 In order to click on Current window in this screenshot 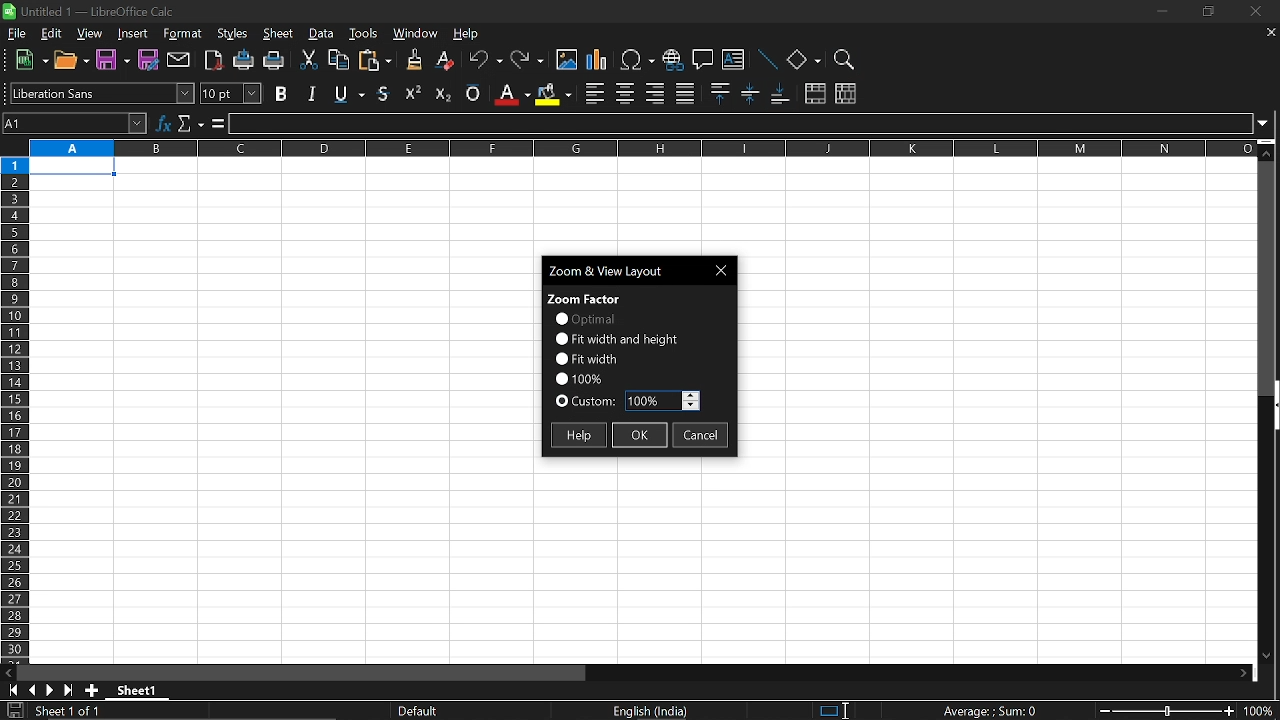, I will do `click(97, 10)`.